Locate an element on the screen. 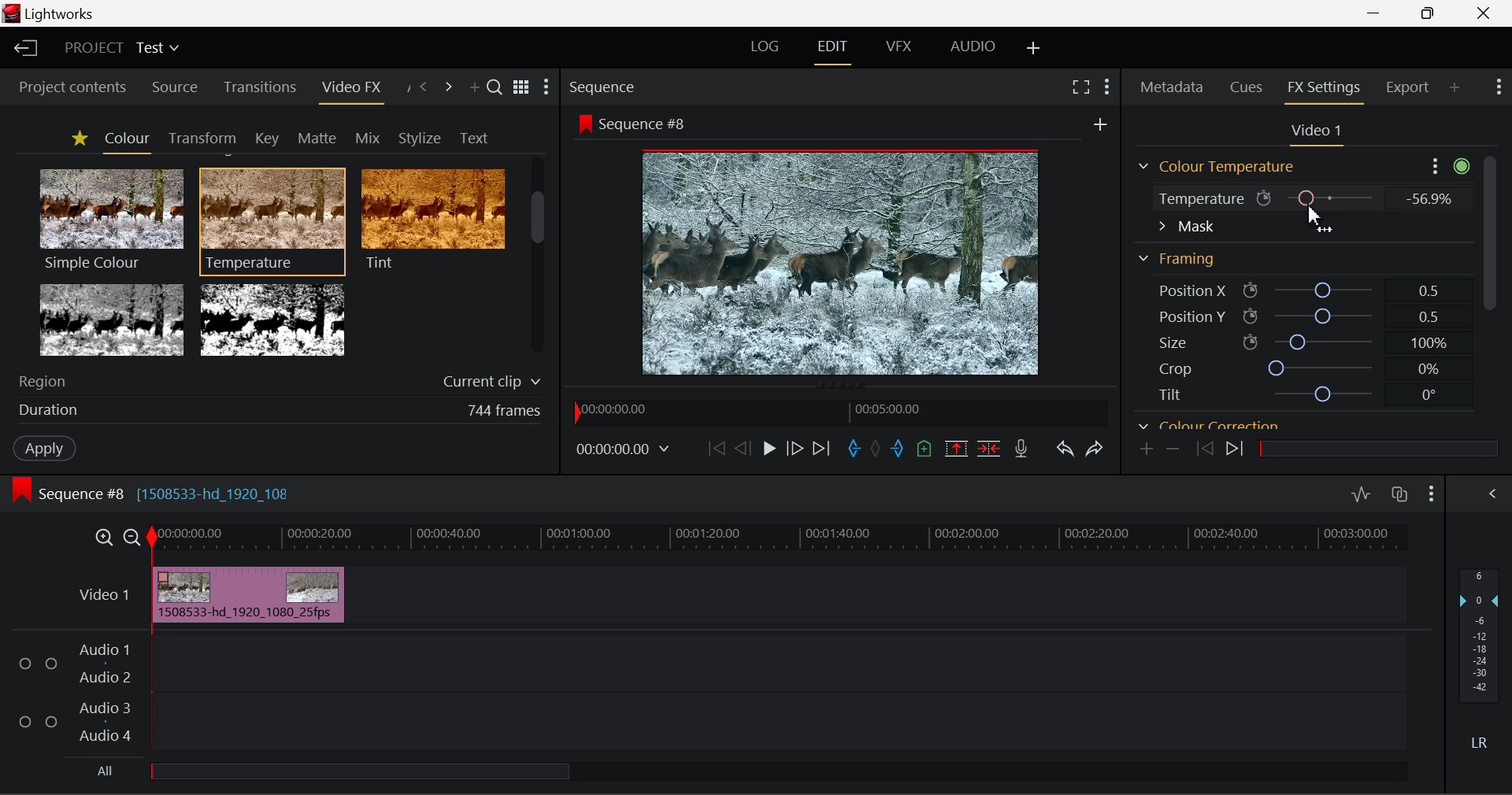 This screenshot has height=795, width=1512. Video Settings is located at coordinates (1321, 134).